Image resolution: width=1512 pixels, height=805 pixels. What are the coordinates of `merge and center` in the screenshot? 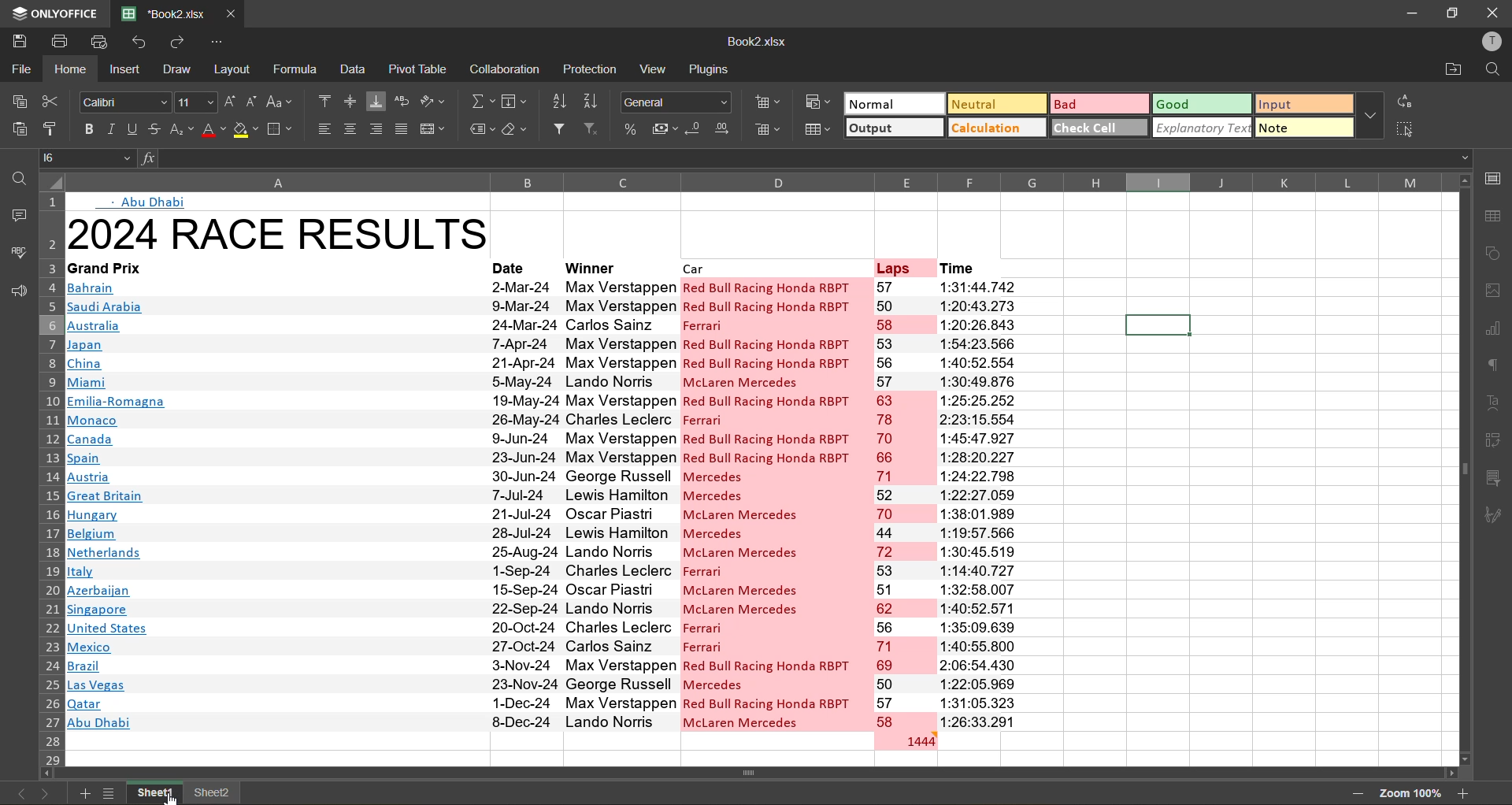 It's located at (434, 130).